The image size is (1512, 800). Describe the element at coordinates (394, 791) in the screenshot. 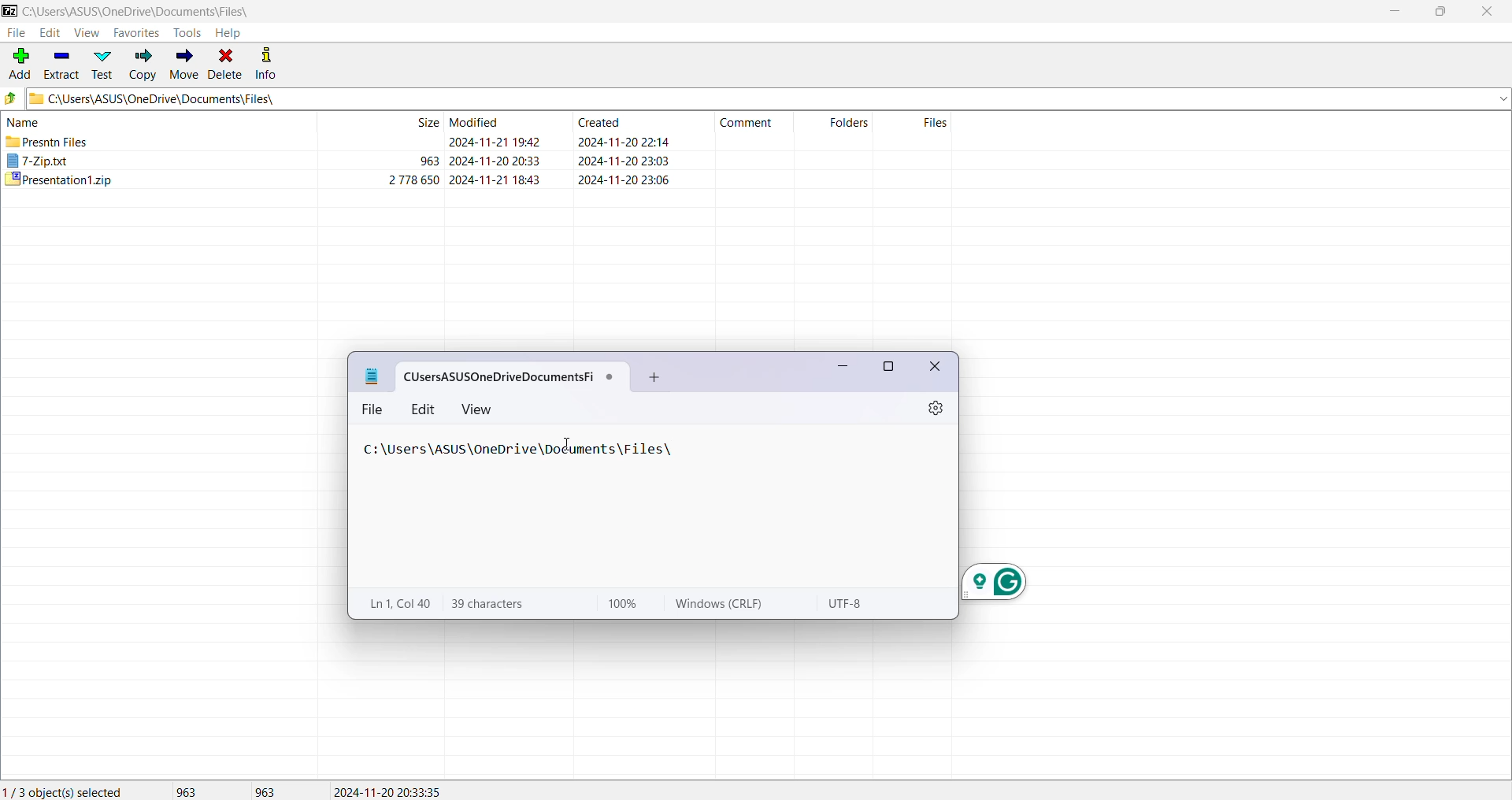

I see `Modified Date of the last selected file` at that location.